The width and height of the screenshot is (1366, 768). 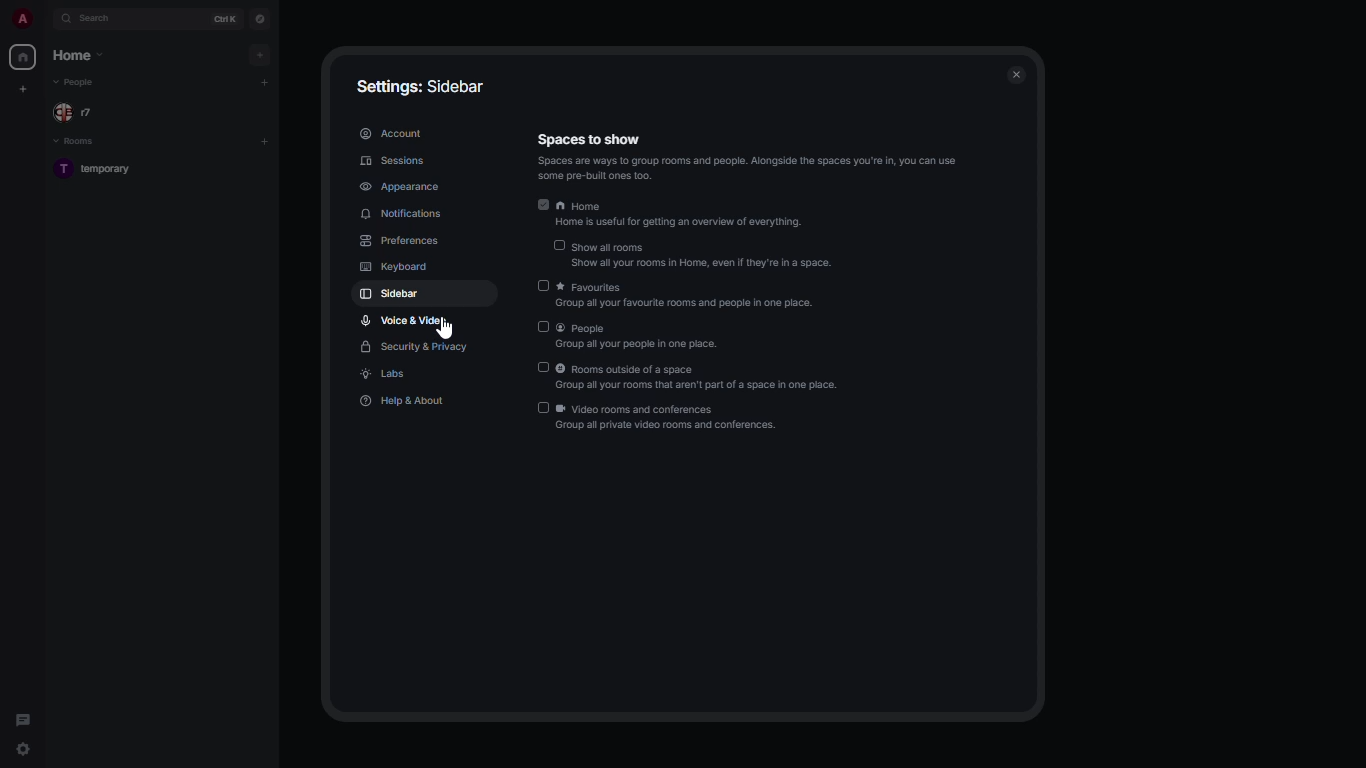 I want to click on cursor, so click(x=445, y=329).